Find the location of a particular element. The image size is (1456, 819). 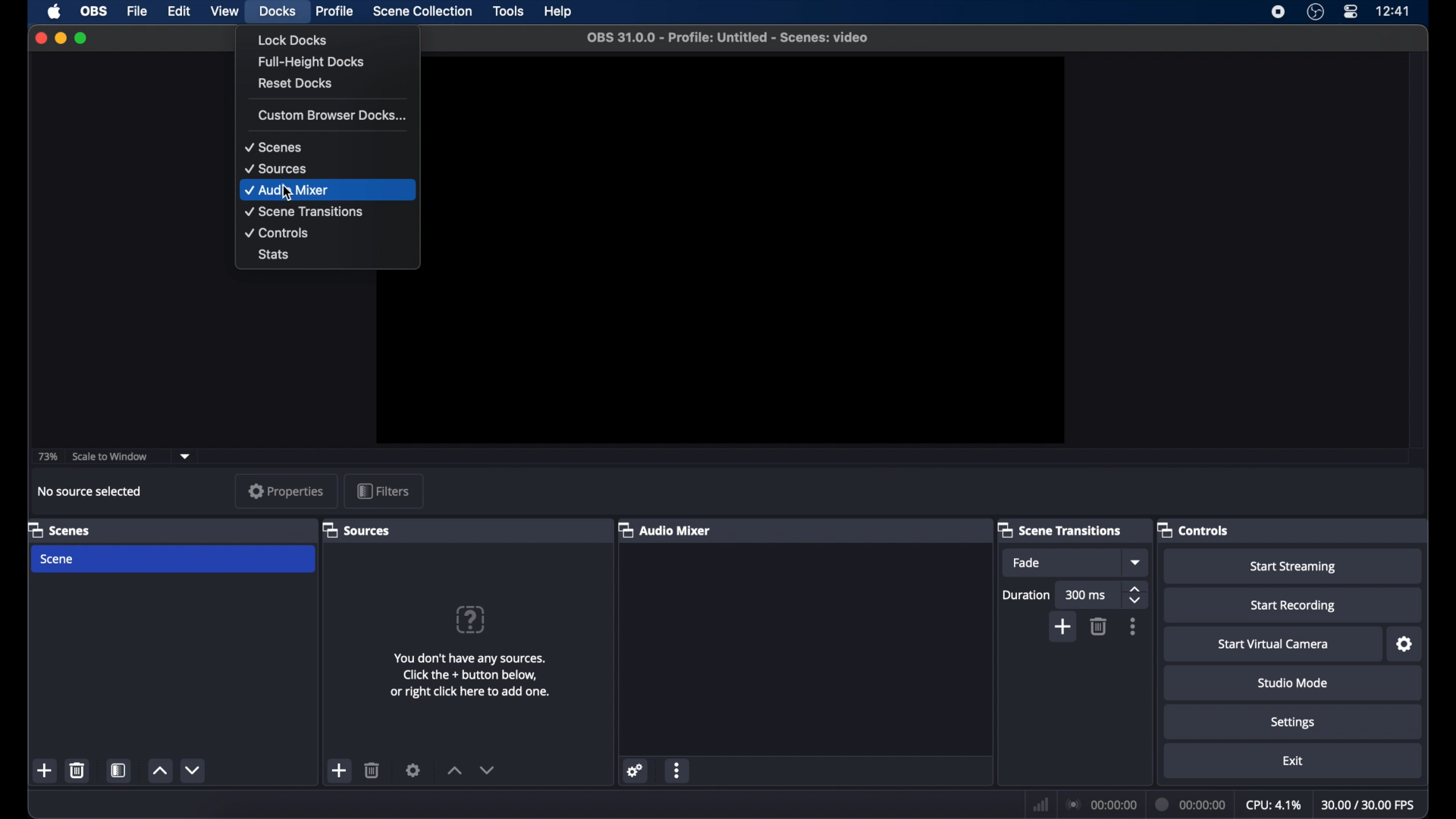

stepper button is located at coordinates (1136, 595).